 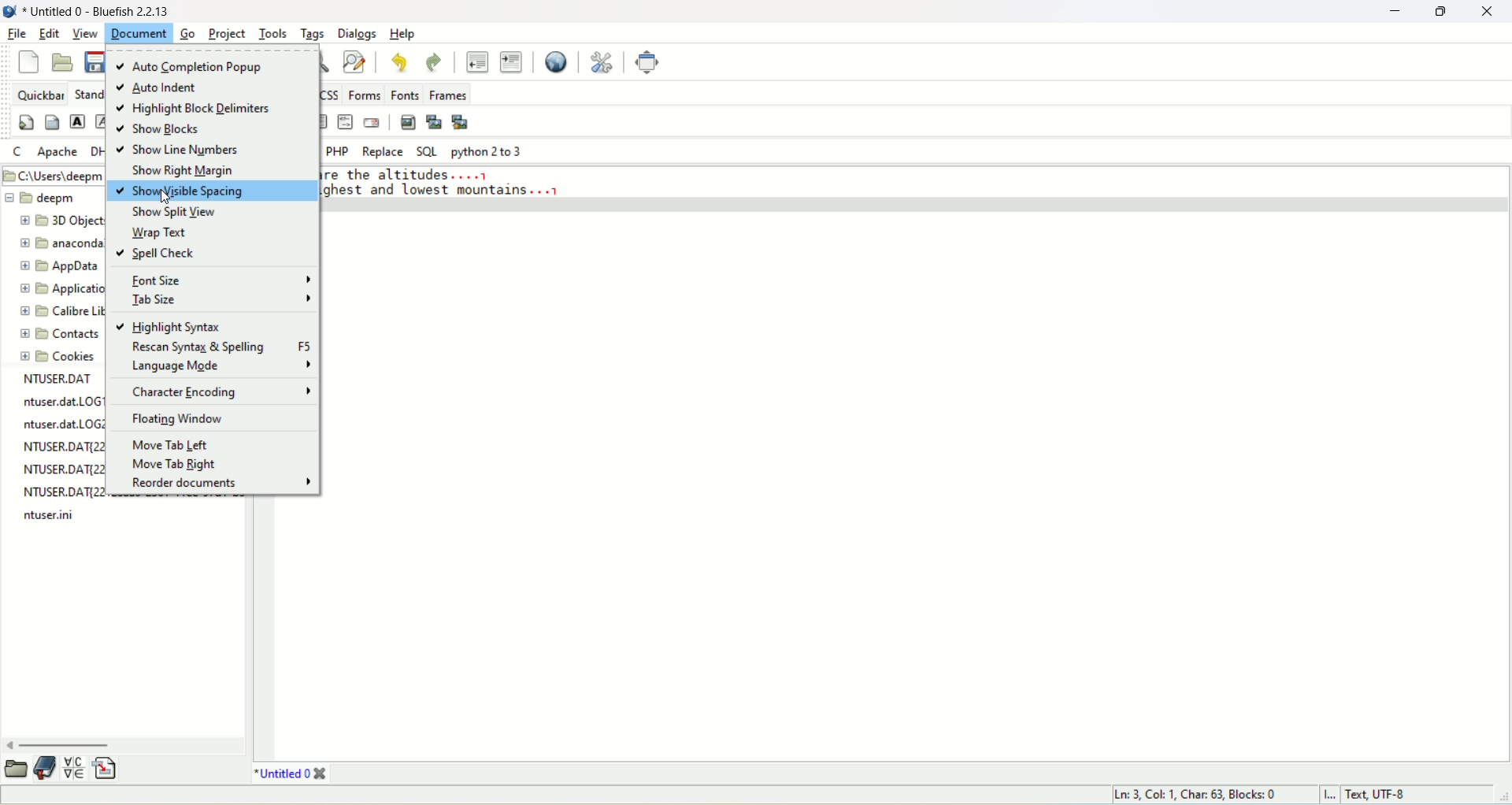 What do you see at coordinates (487, 153) in the screenshot?
I see `python 2 to 3` at bounding box center [487, 153].